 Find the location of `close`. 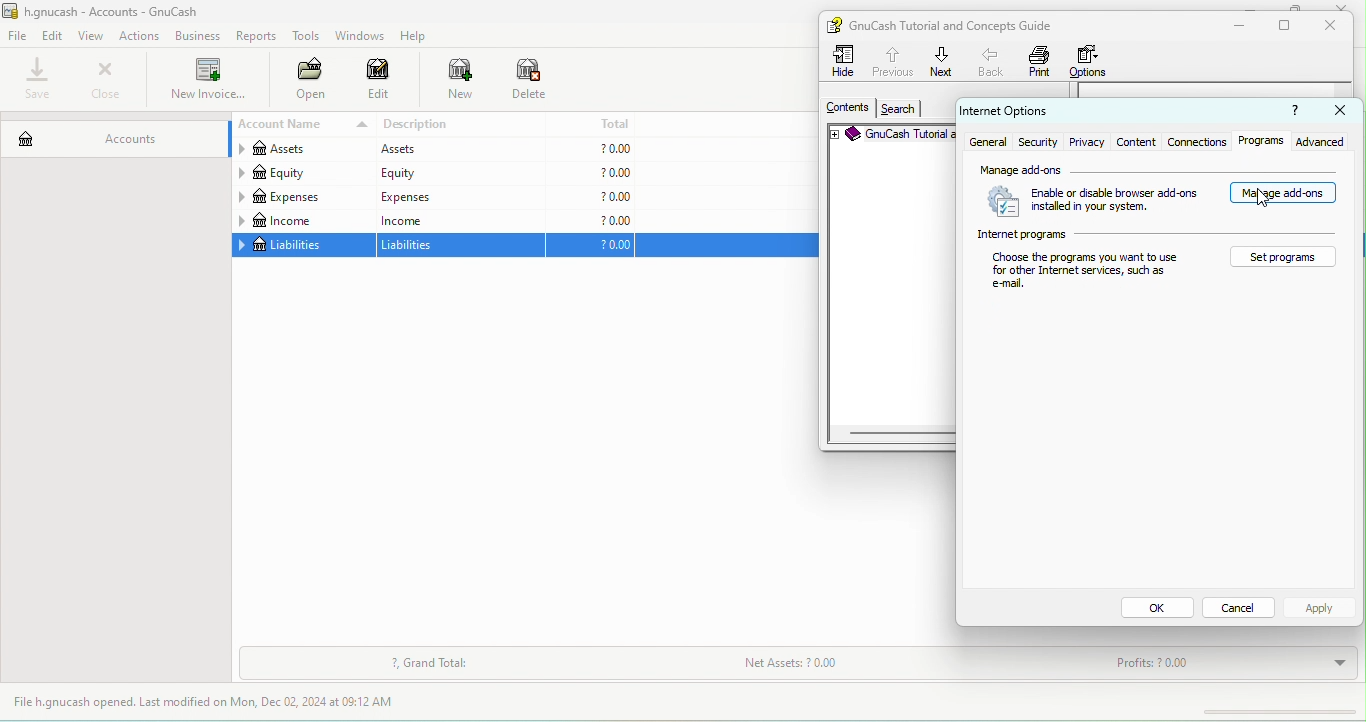

close is located at coordinates (1336, 26).